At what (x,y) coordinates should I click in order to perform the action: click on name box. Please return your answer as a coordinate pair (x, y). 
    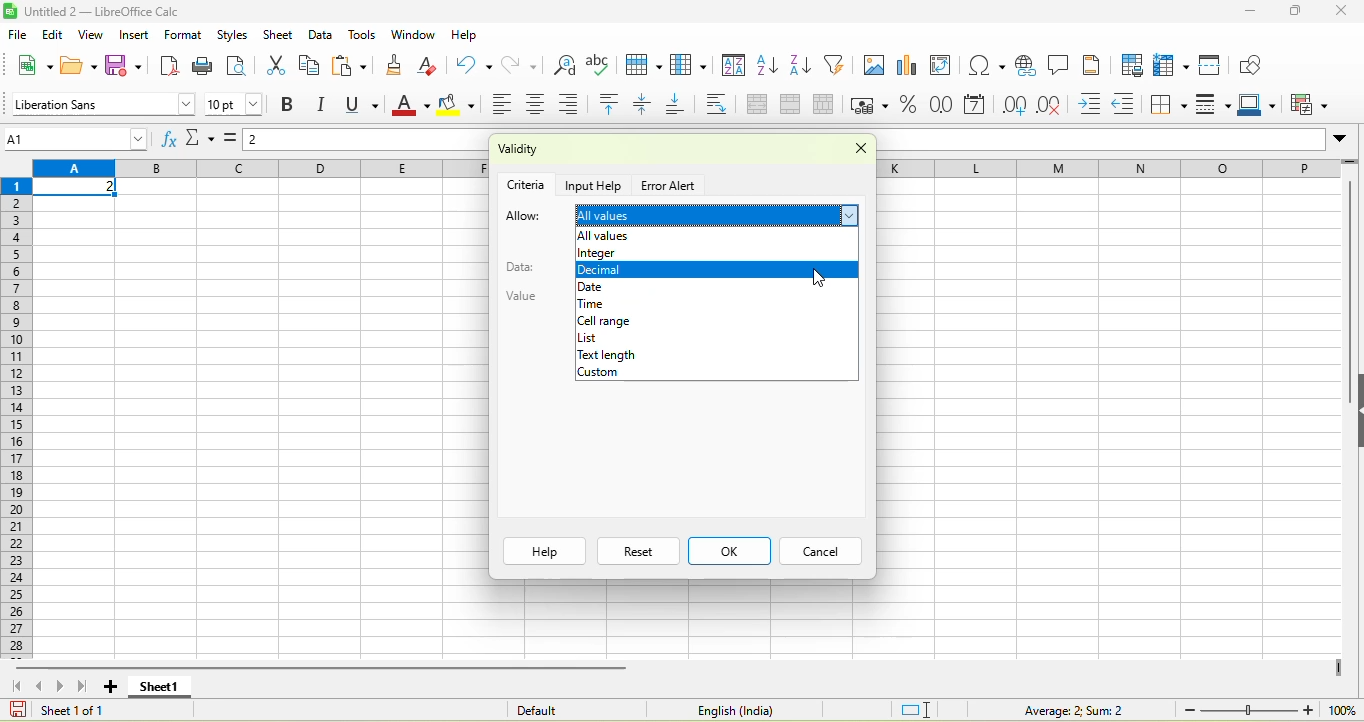
    Looking at the image, I should click on (78, 138).